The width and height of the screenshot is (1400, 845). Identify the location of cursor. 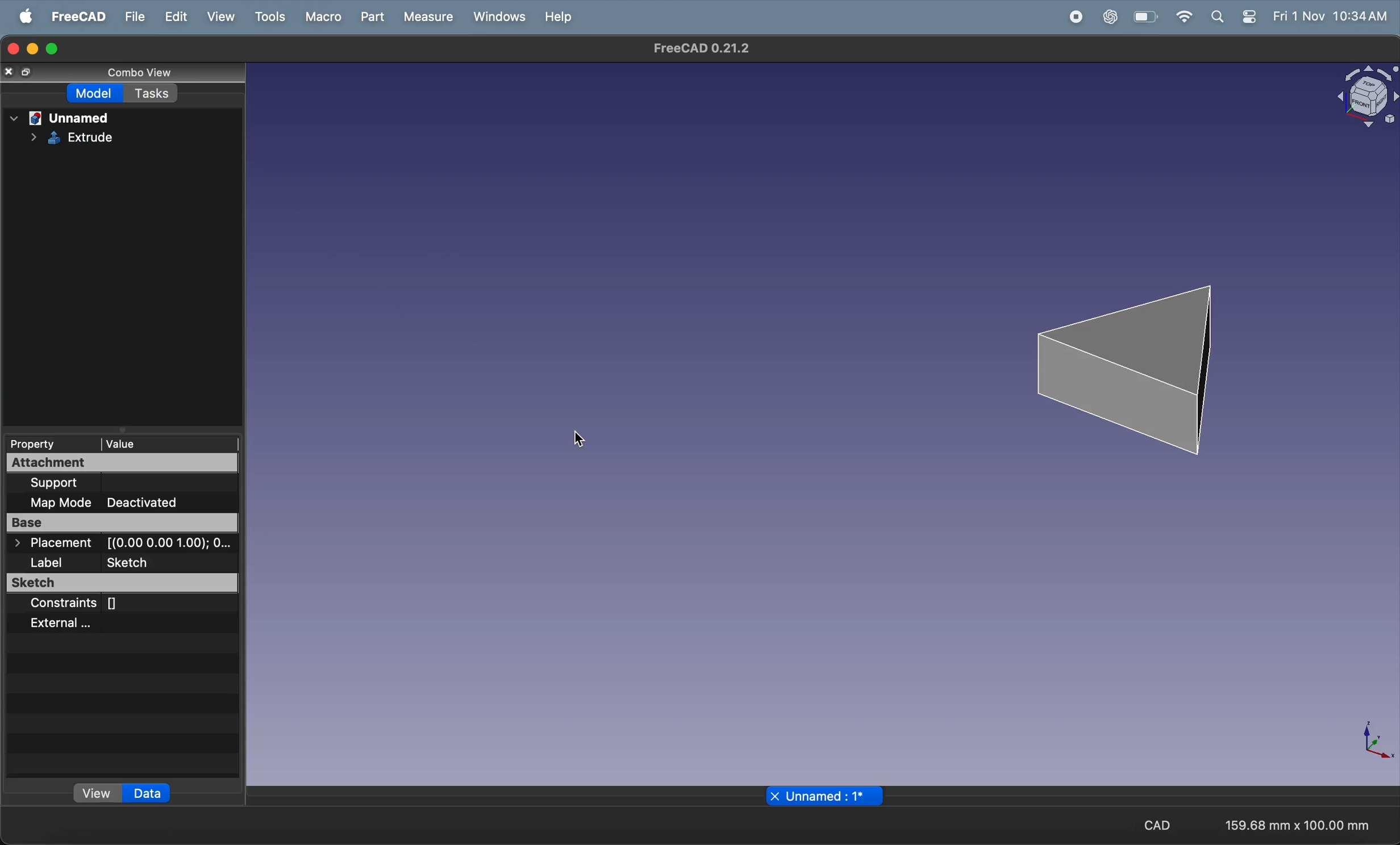
(581, 439).